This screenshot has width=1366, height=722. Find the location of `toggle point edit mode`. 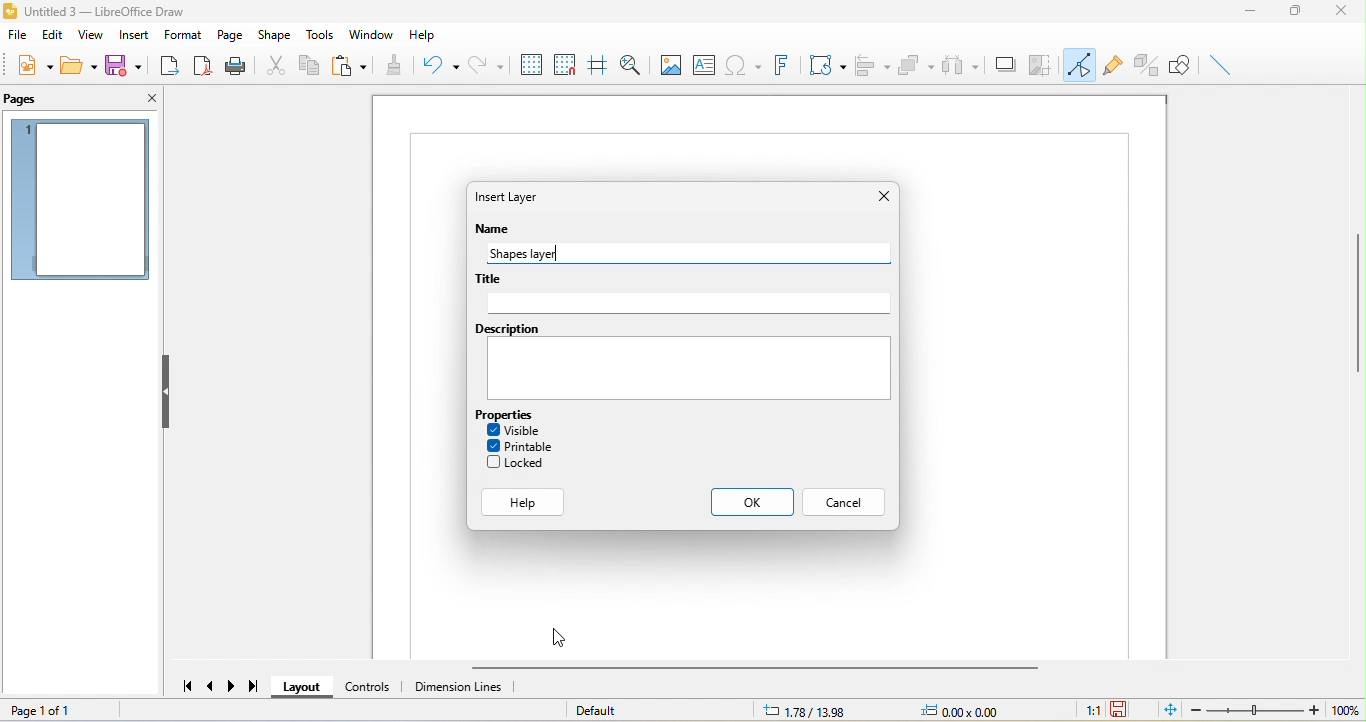

toggle point edit mode is located at coordinates (1081, 64).